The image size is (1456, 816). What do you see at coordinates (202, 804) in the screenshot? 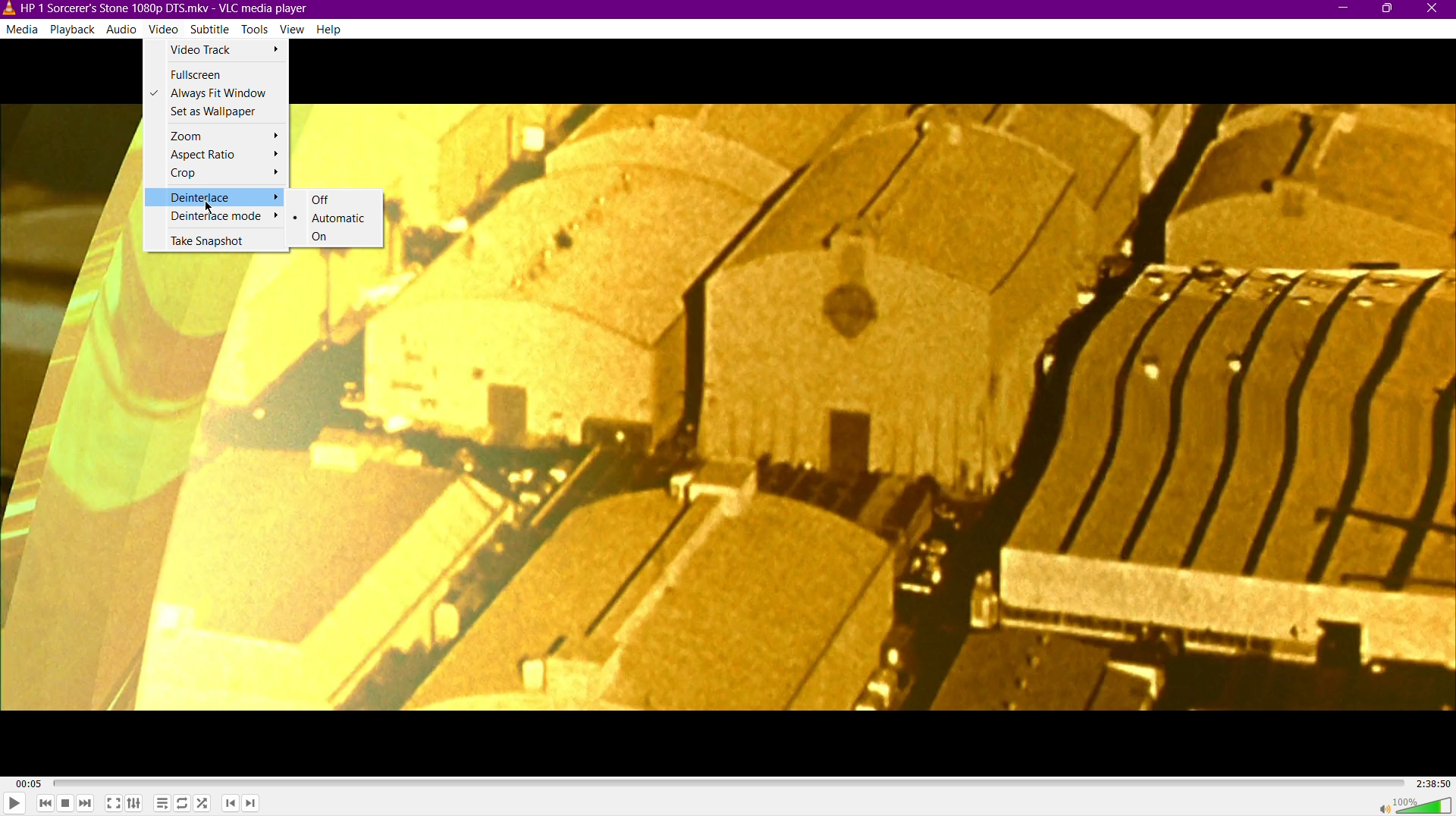
I see `Random` at bounding box center [202, 804].